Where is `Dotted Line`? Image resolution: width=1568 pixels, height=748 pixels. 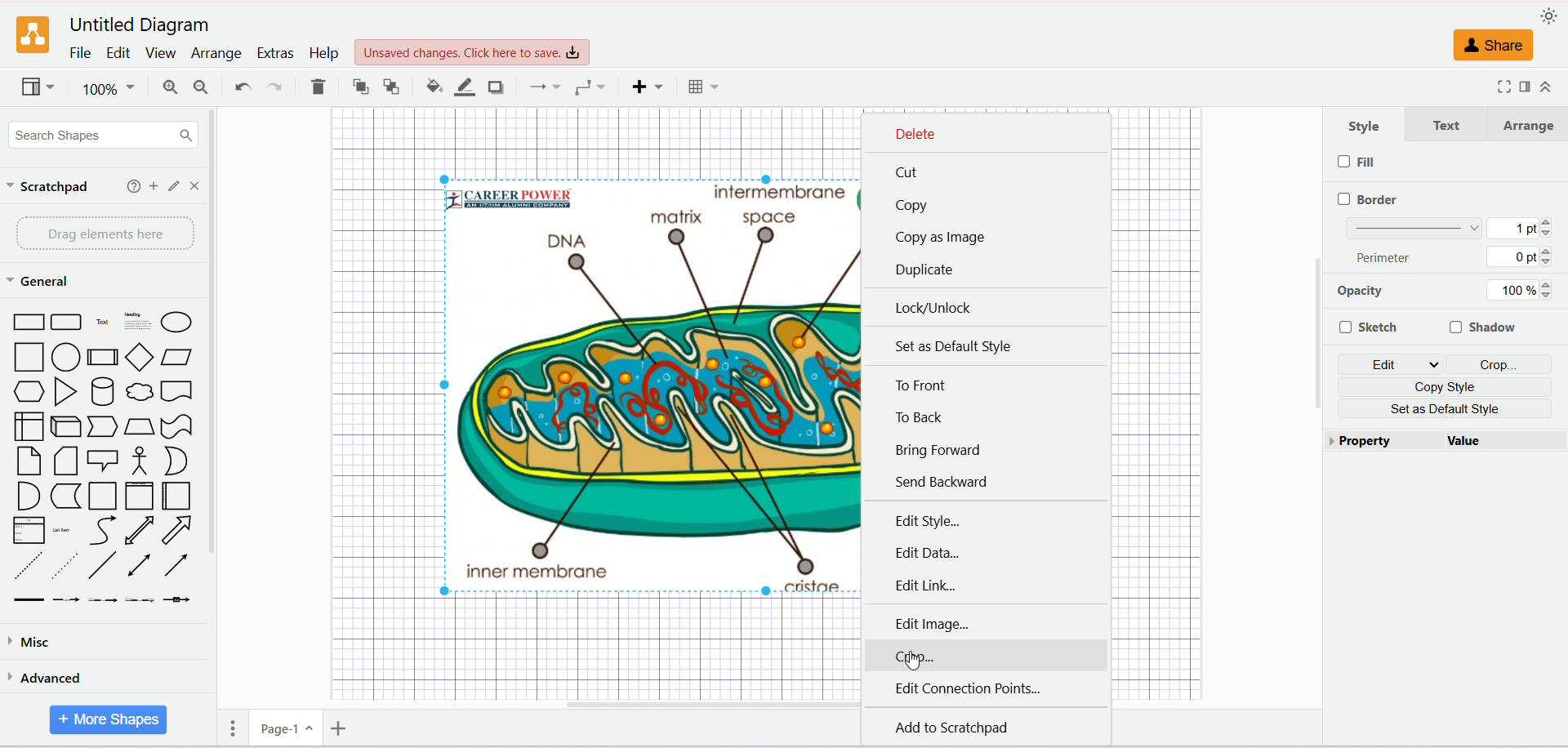 Dotted Line is located at coordinates (67, 568).